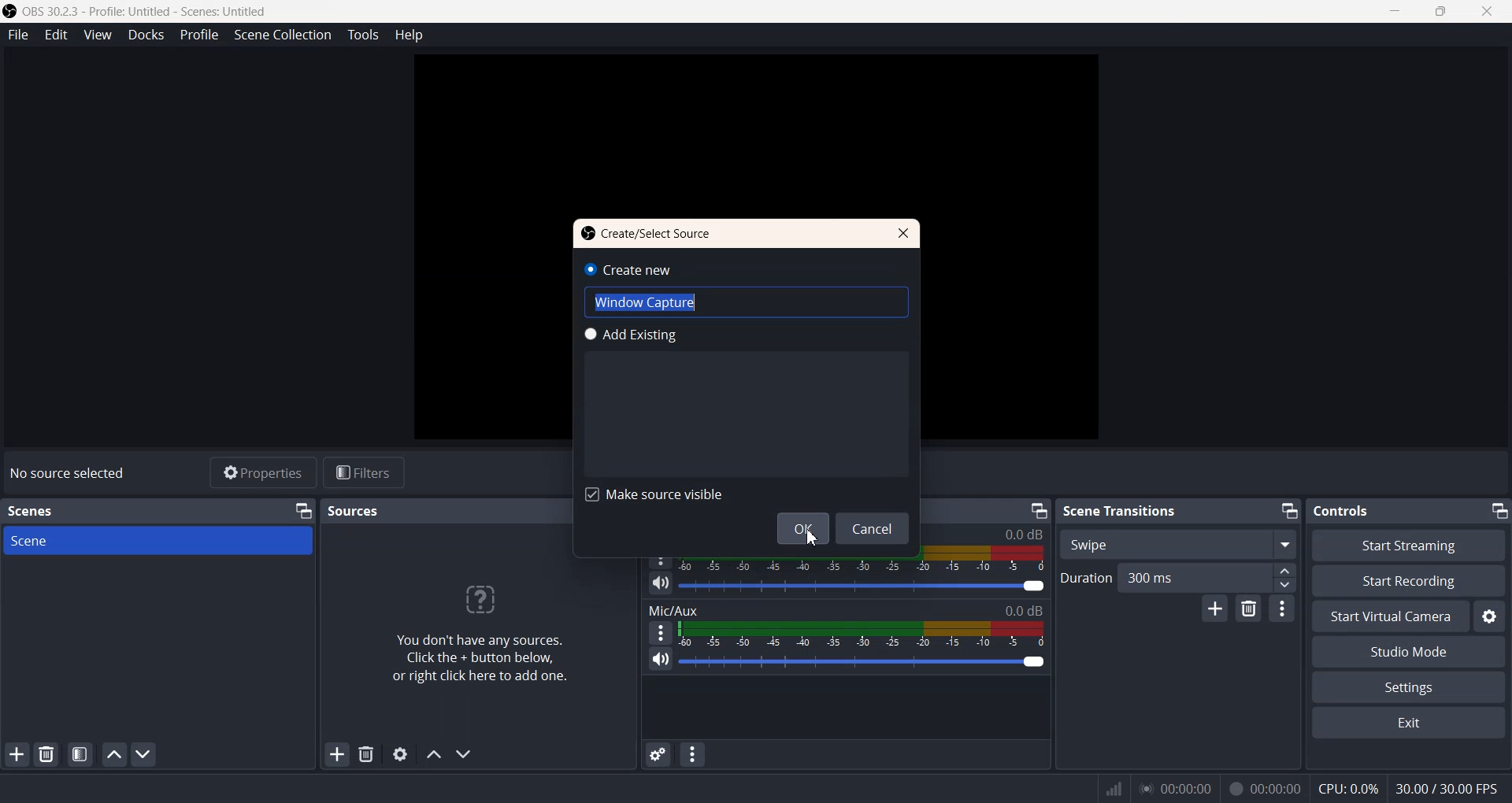 This screenshot has height=803, width=1512. I want to click on Remove configuration transition, so click(1248, 608).